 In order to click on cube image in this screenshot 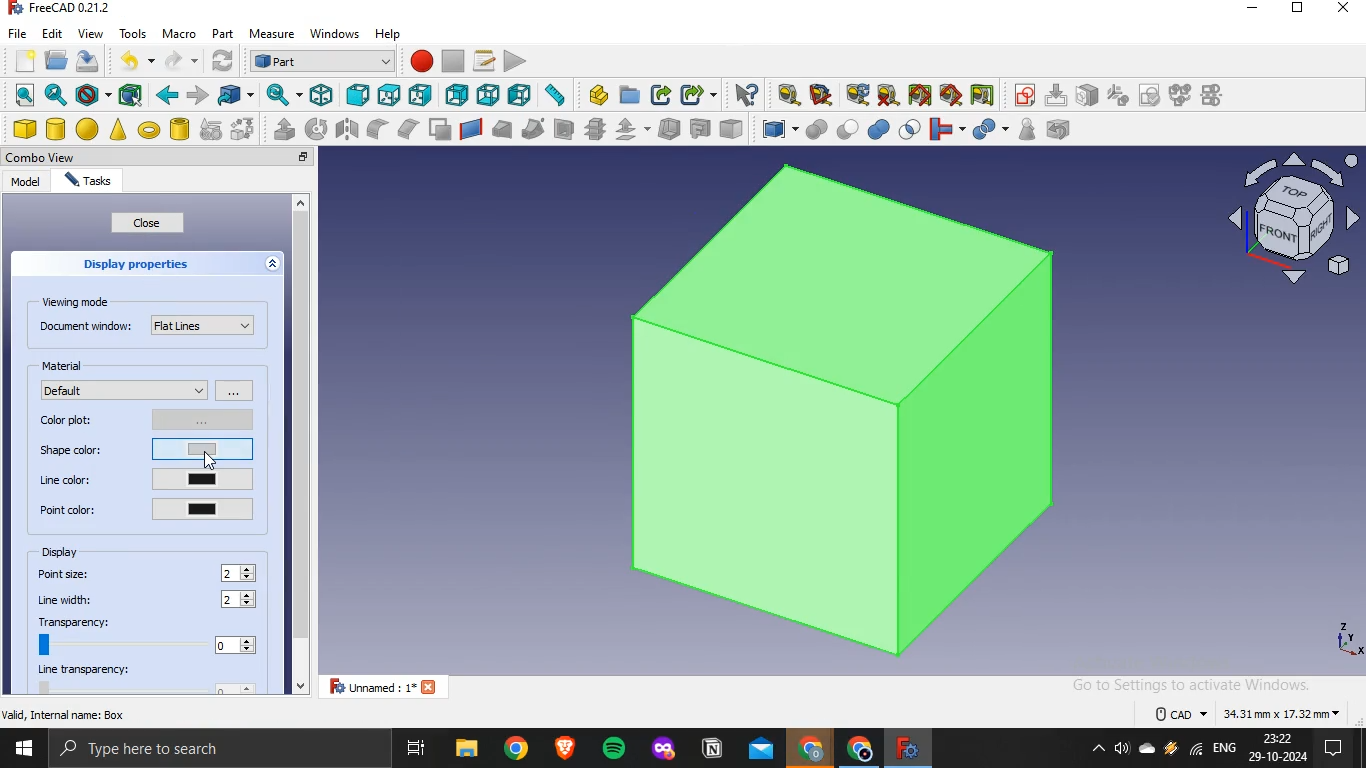, I will do `click(848, 411)`.